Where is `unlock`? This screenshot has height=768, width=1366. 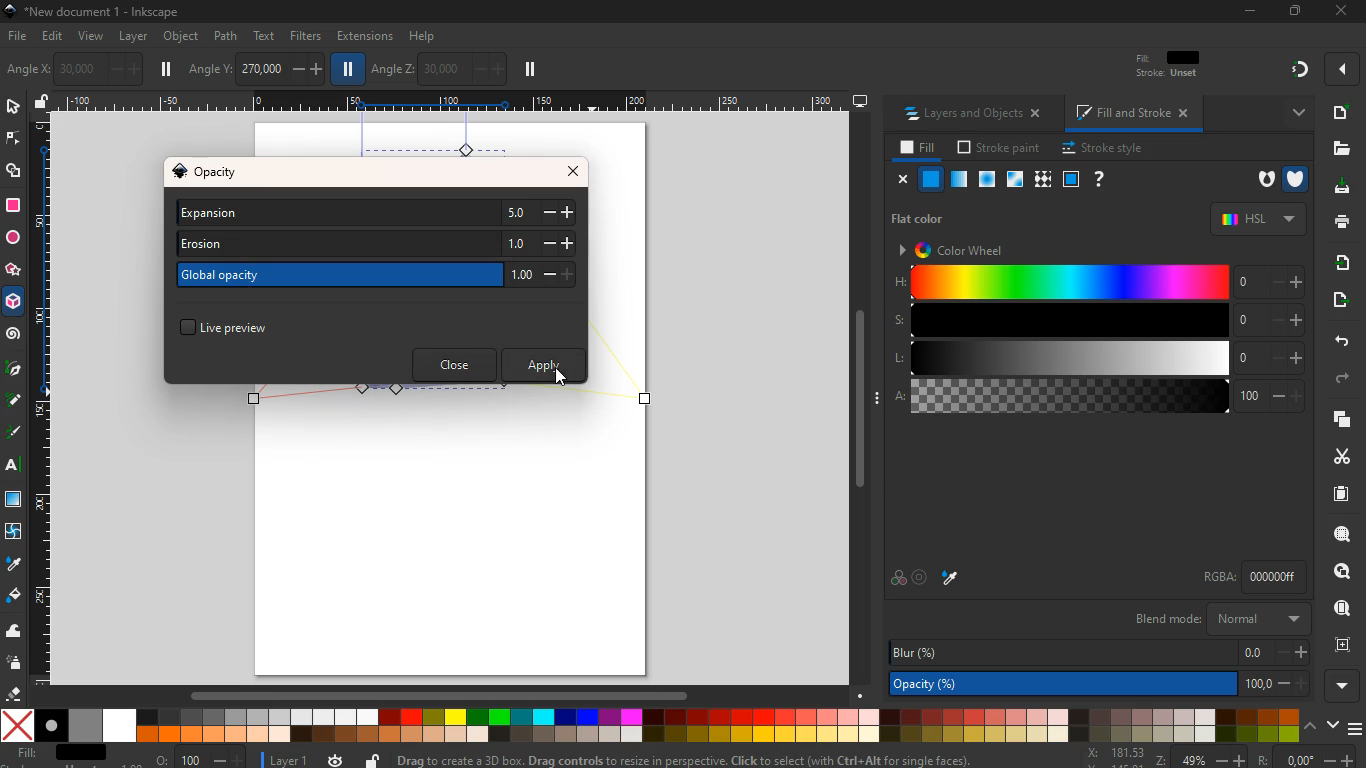
unlock is located at coordinates (42, 103).